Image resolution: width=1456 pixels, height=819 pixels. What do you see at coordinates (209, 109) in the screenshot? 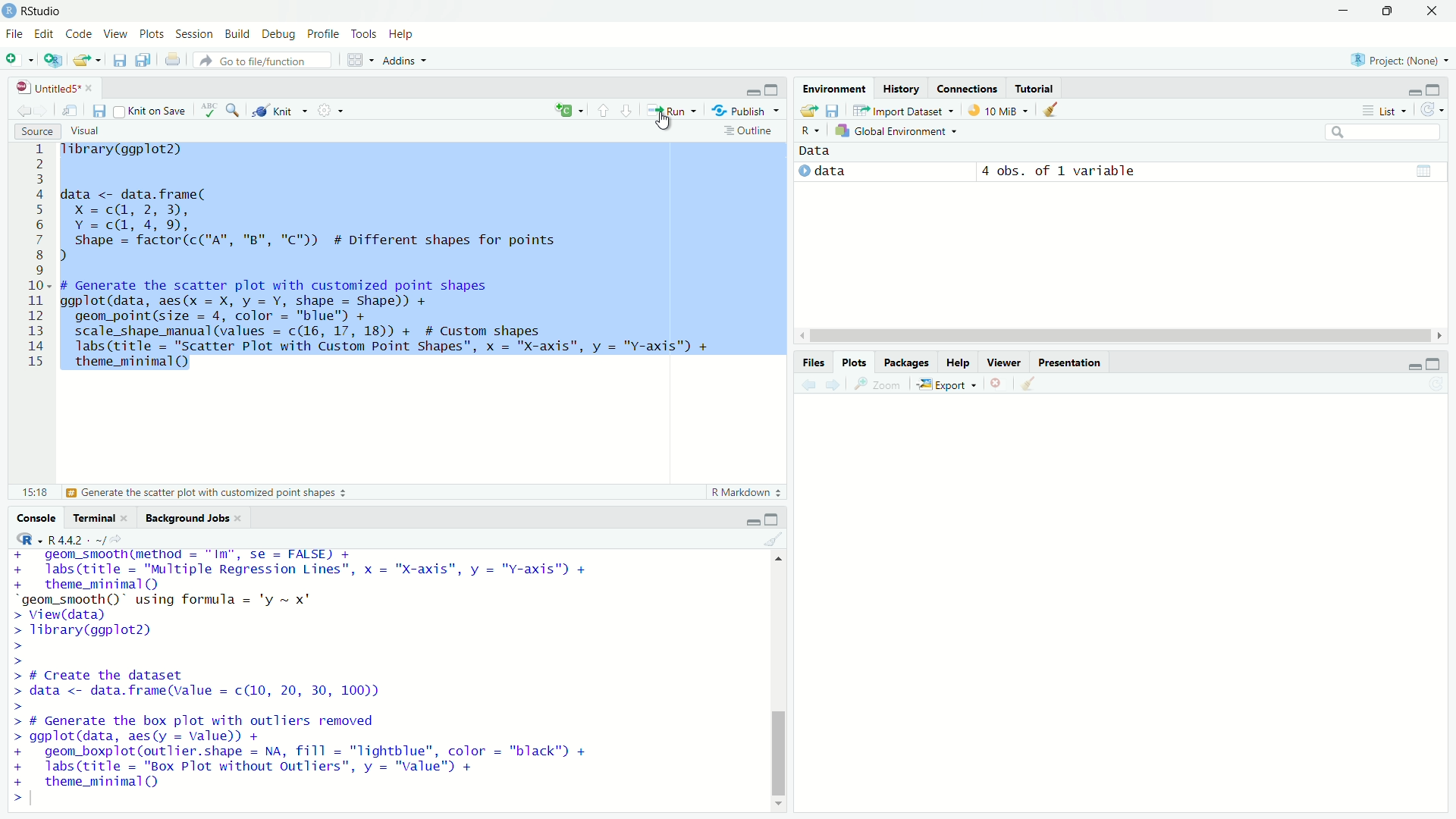
I see `Check spelling in the document` at bounding box center [209, 109].